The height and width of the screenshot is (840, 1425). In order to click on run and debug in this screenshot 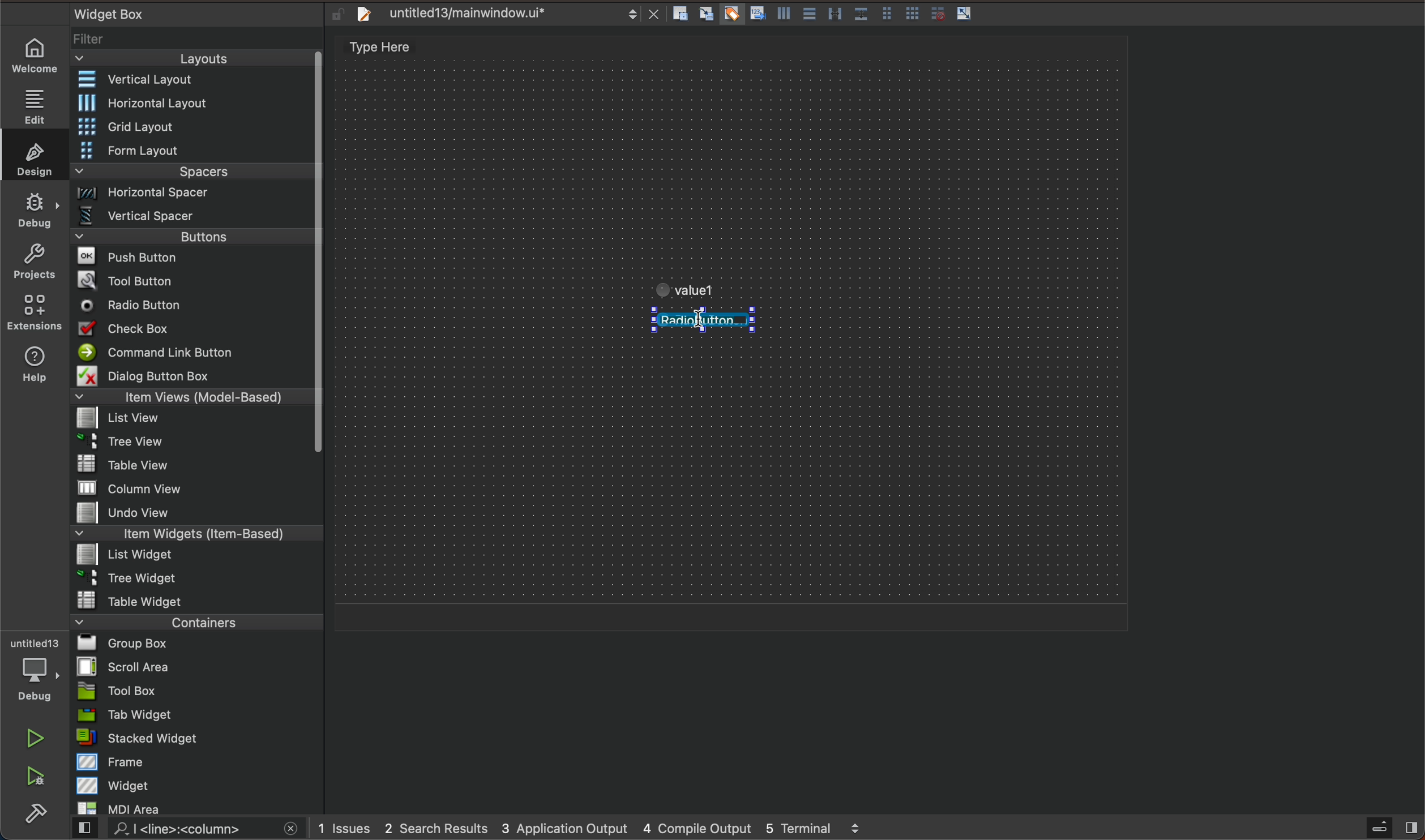, I will do `click(37, 778)`.